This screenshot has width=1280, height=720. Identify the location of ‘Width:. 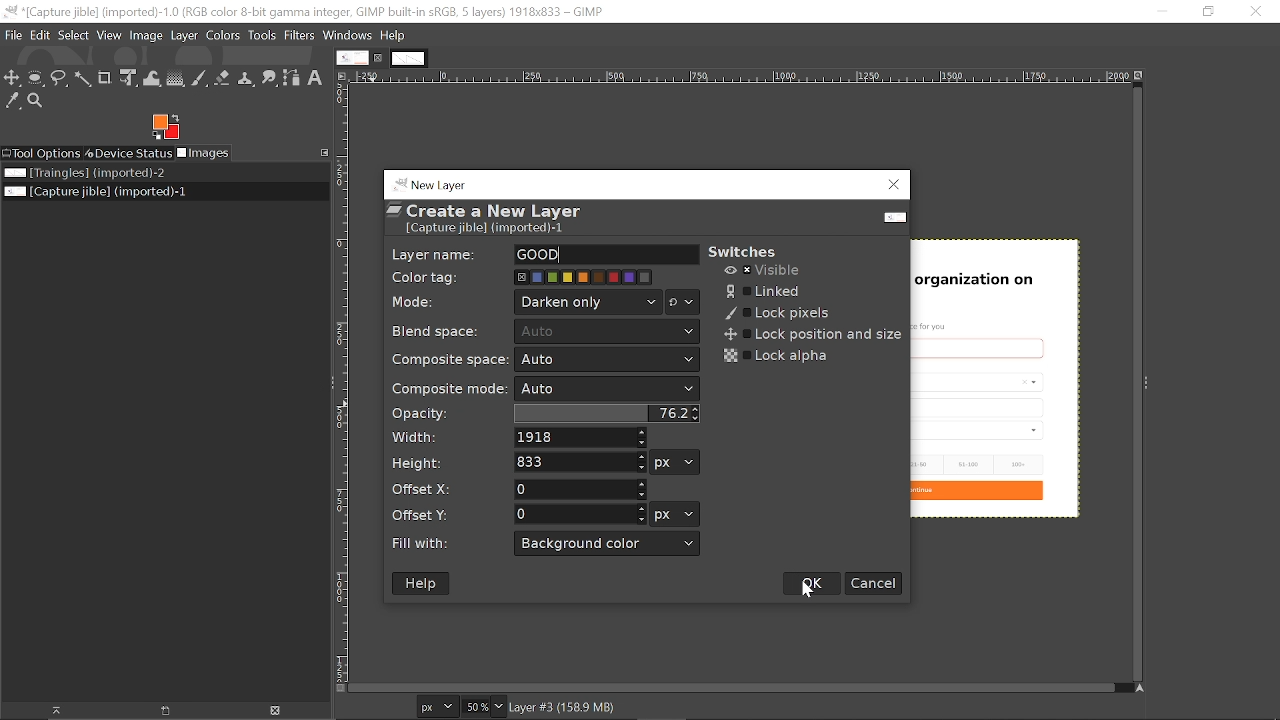
(418, 437).